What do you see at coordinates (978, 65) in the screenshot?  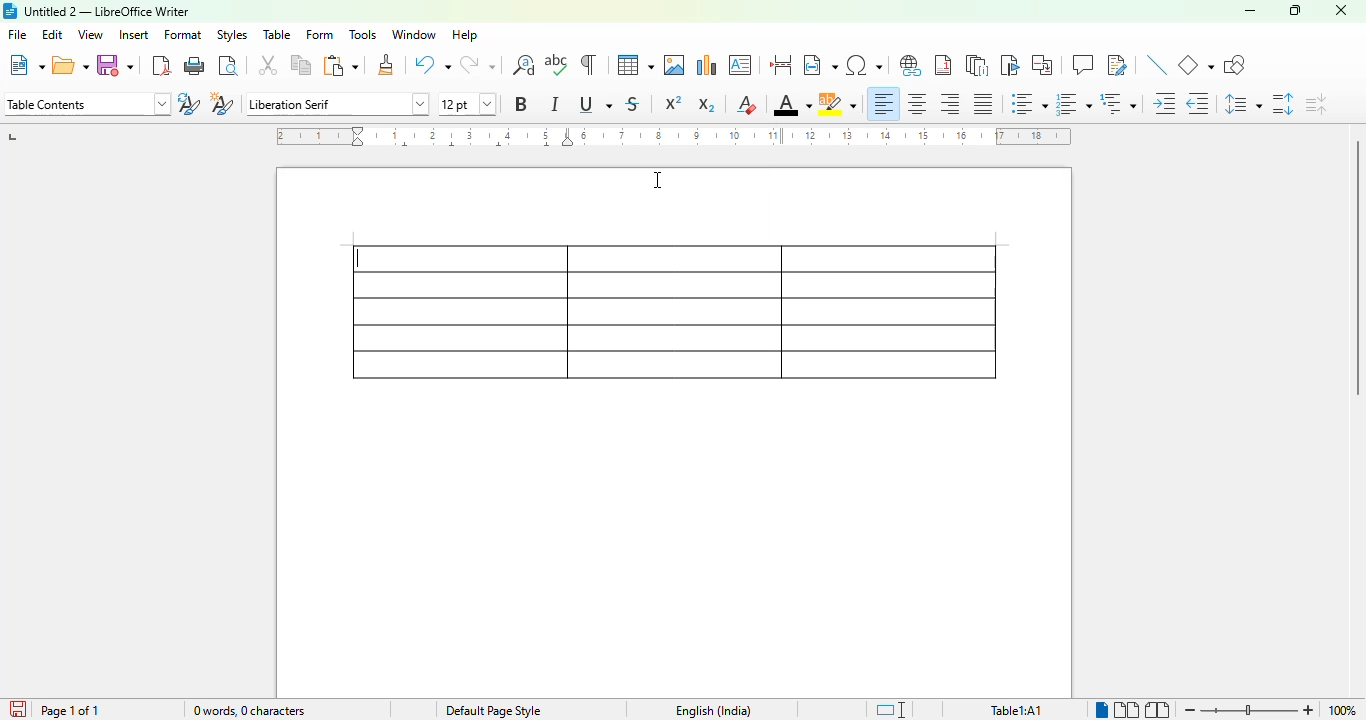 I see `insert endnote` at bounding box center [978, 65].